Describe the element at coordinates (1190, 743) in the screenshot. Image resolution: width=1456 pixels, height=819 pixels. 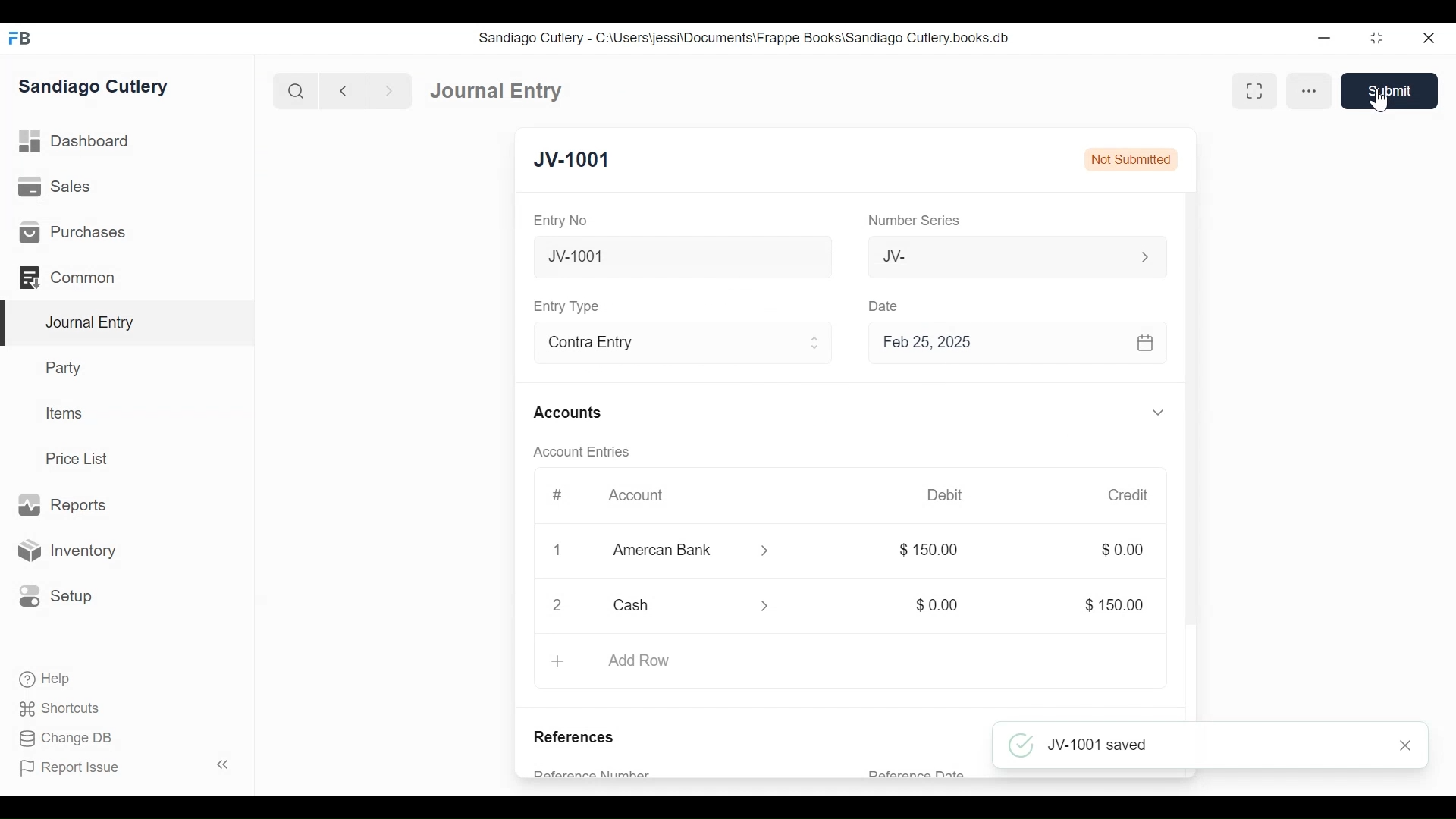
I see `JV-1001 saved` at that location.